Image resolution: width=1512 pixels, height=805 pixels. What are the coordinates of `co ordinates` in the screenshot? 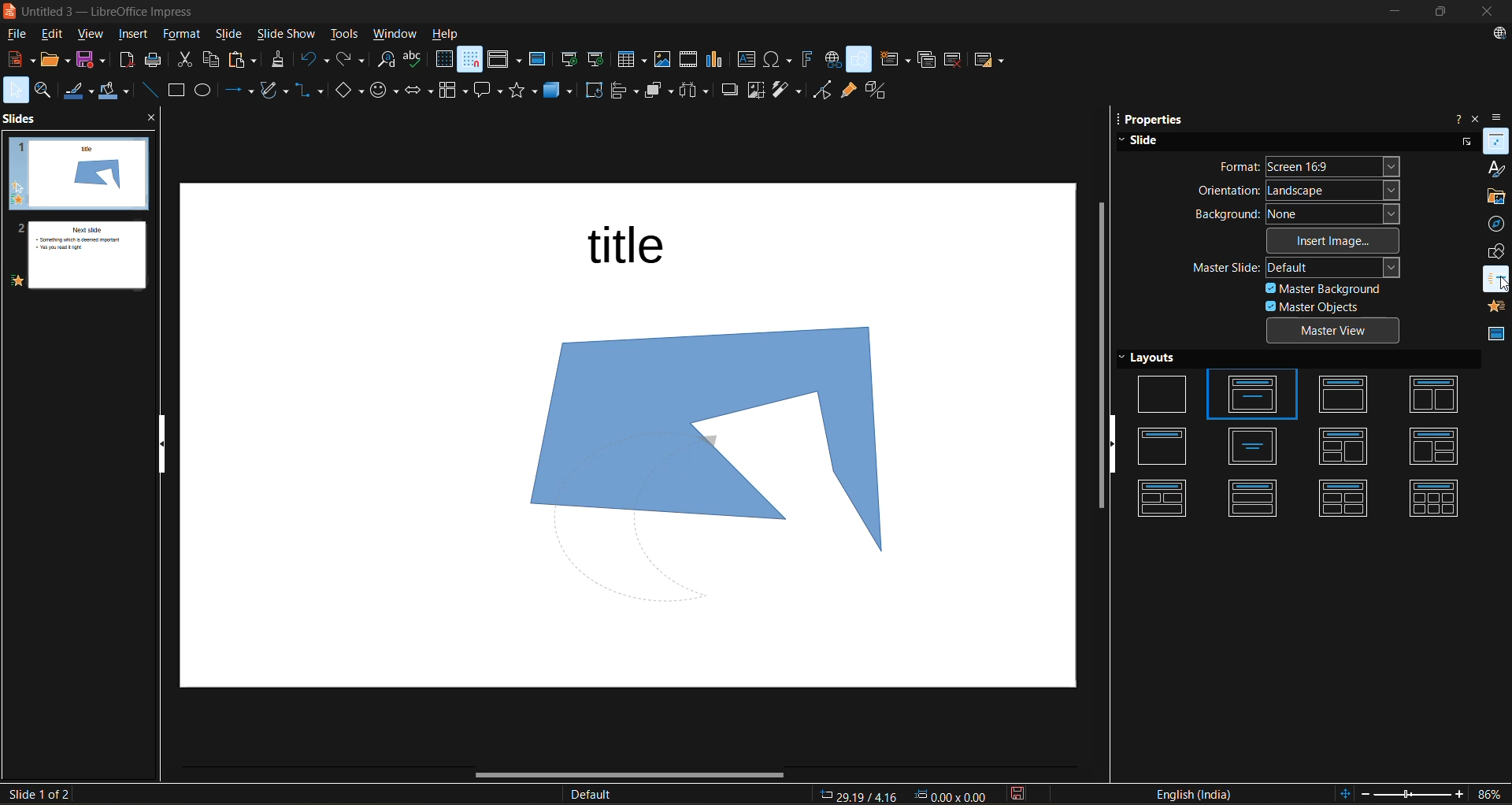 It's located at (903, 796).